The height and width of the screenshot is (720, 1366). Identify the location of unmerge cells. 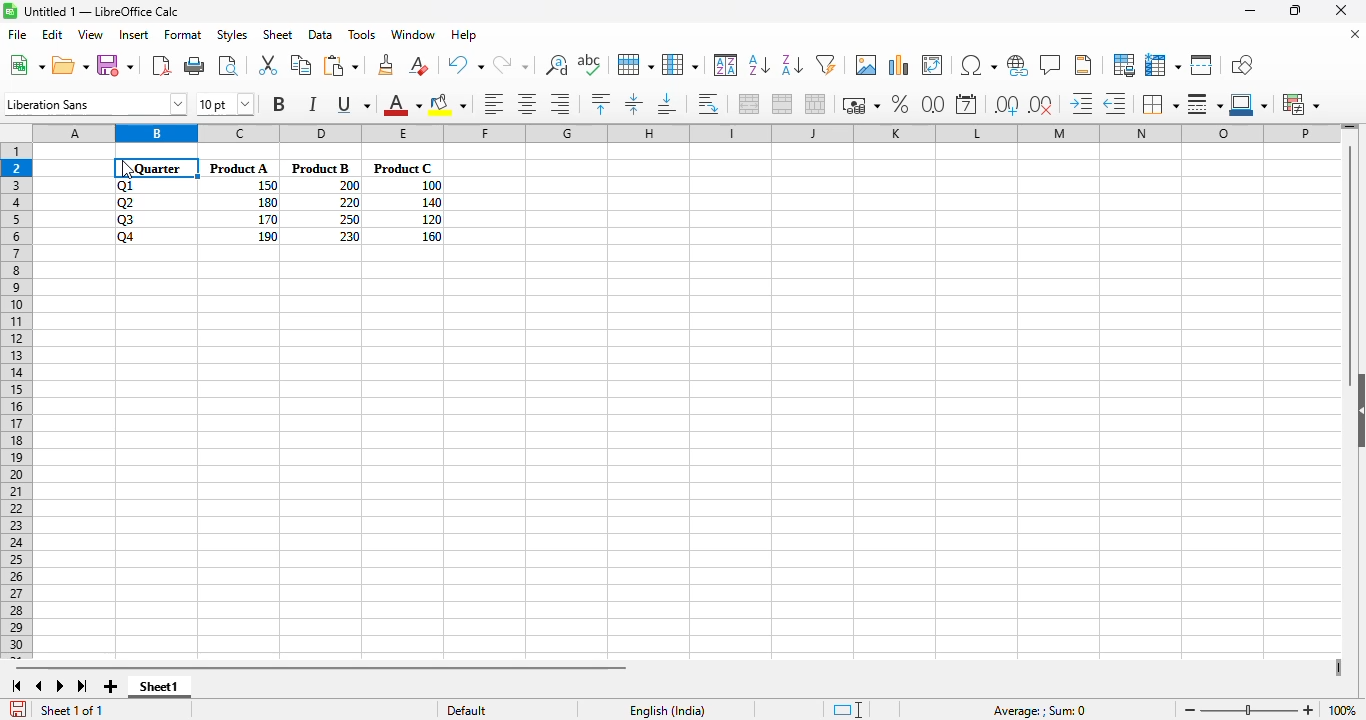
(814, 103).